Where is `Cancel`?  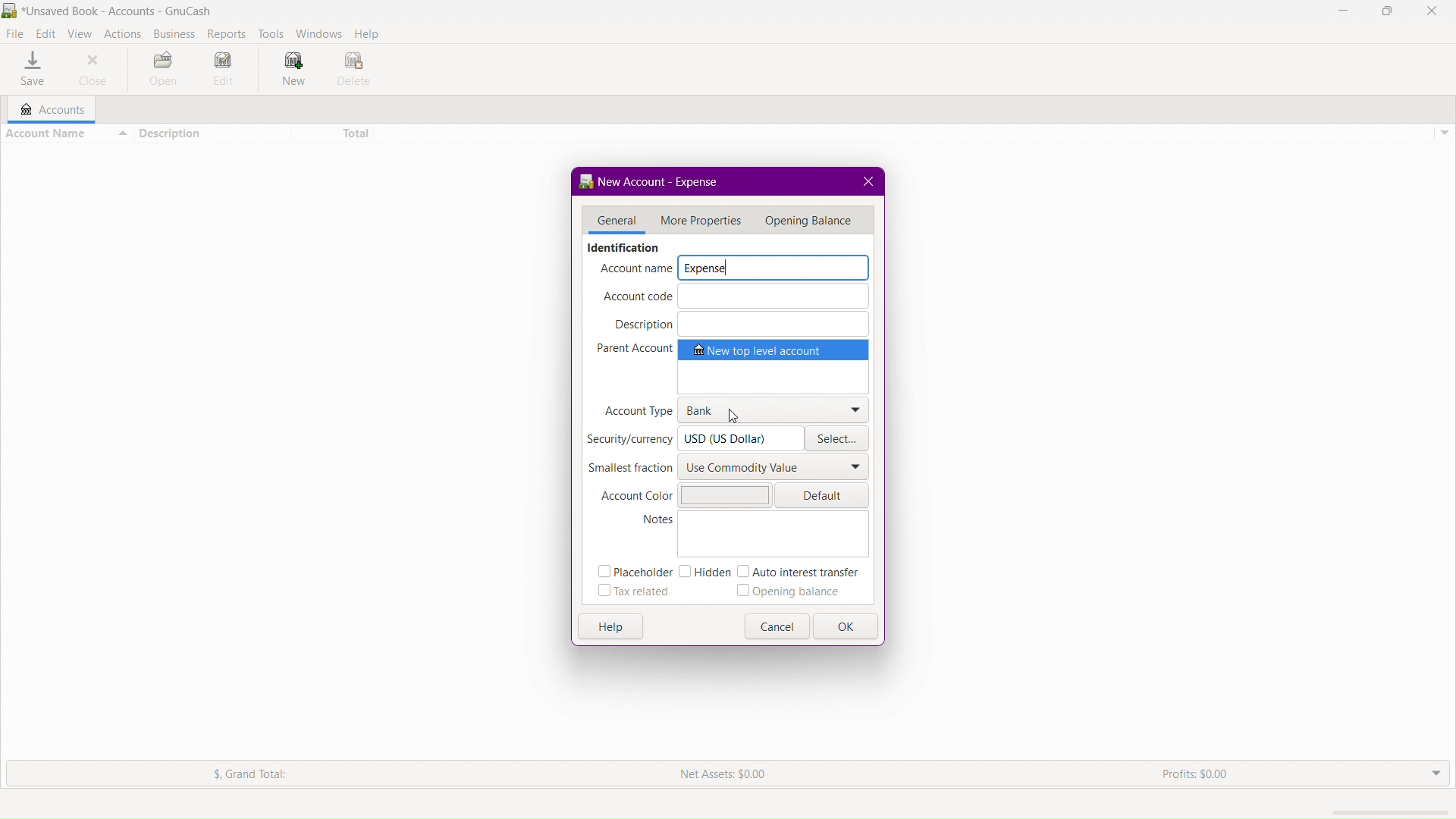
Cancel is located at coordinates (780, 627).